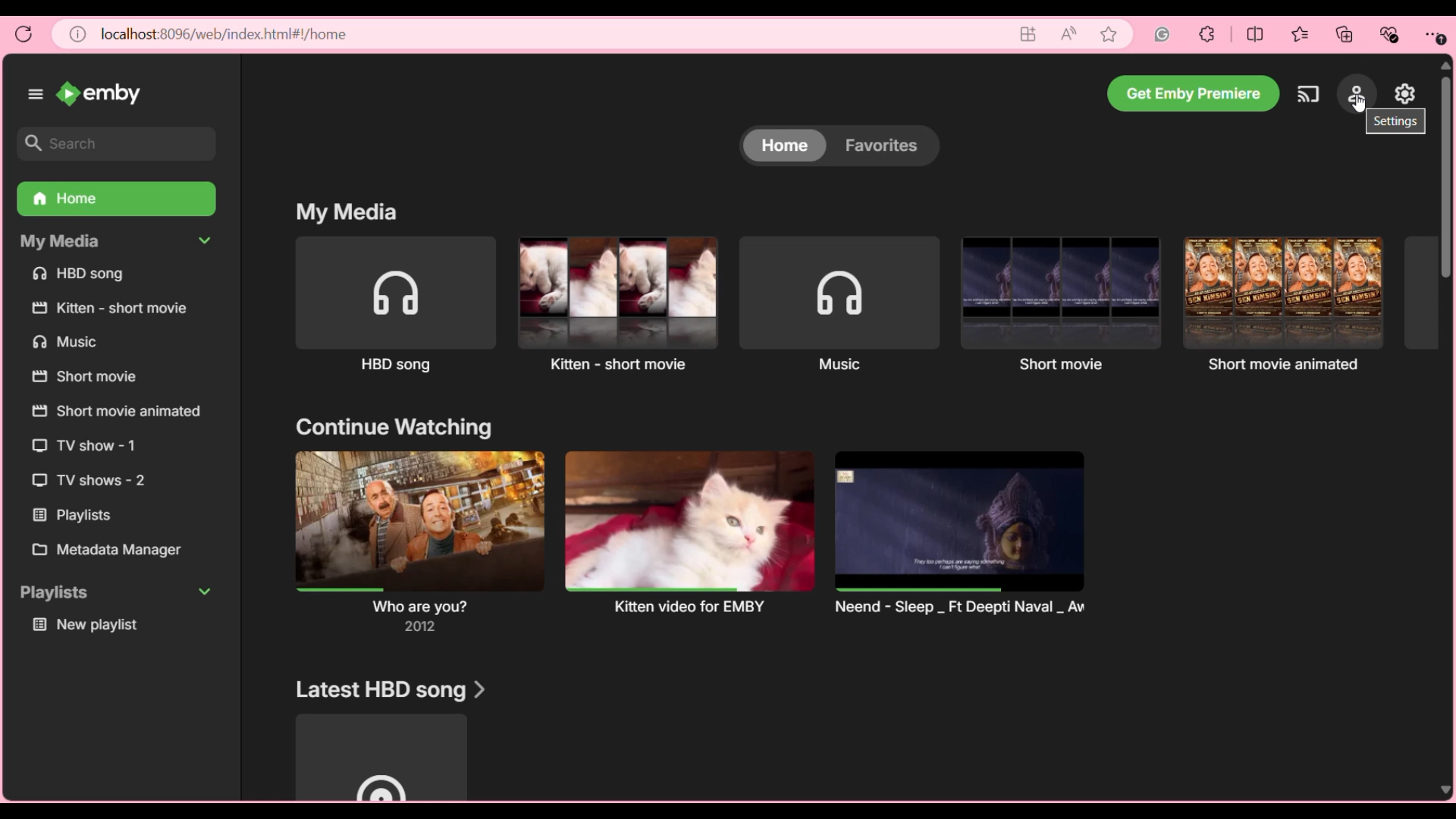 The width and height of the screenshot is (1456, 819). Describe the element at coordinates (1058, 308) in the screenshot. I see `short movie` at that location.